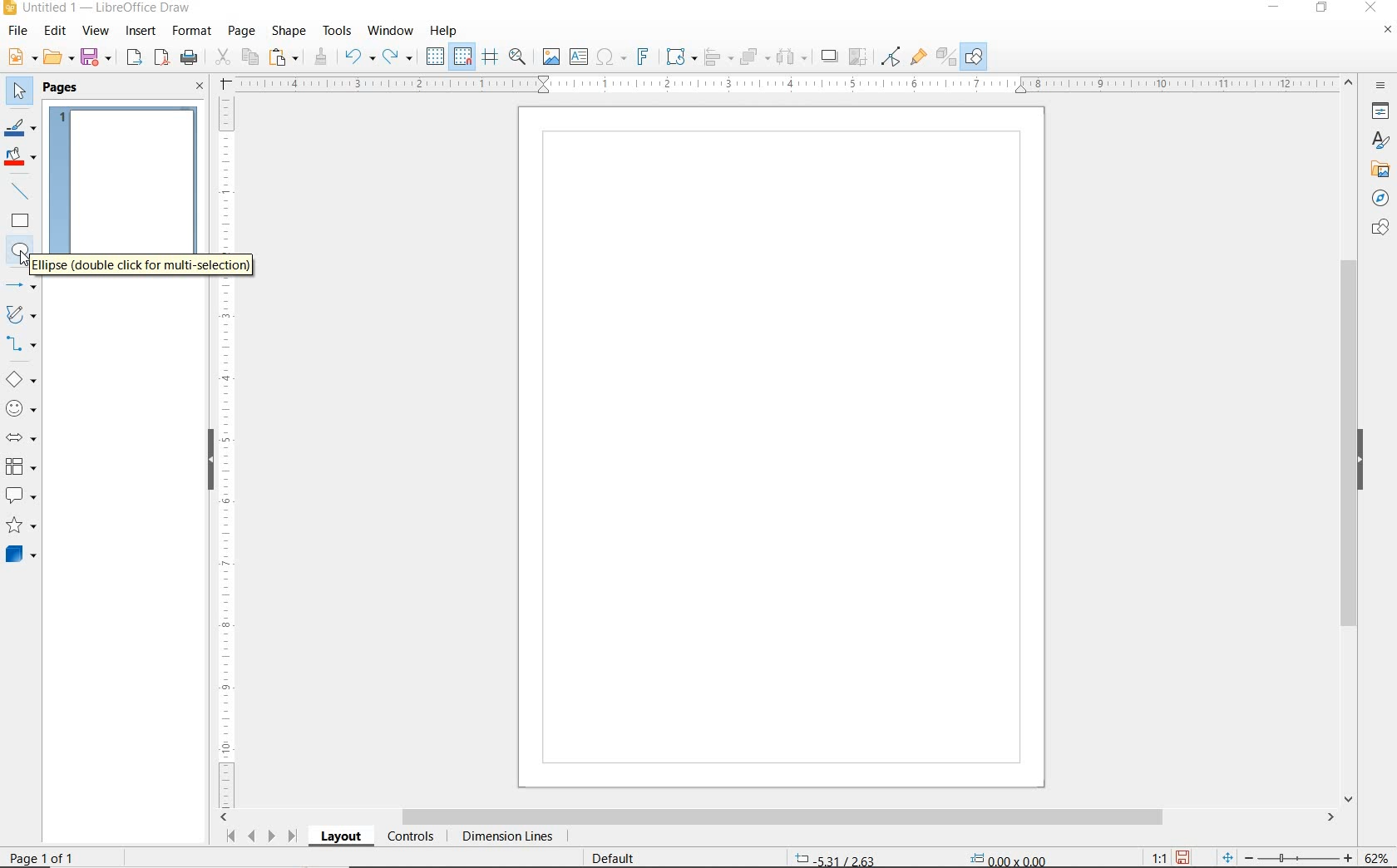 The image size is (1397, 868). Describe the element at coordinates (1376, 143) in the screenshot. I see `STYLES` at that location.